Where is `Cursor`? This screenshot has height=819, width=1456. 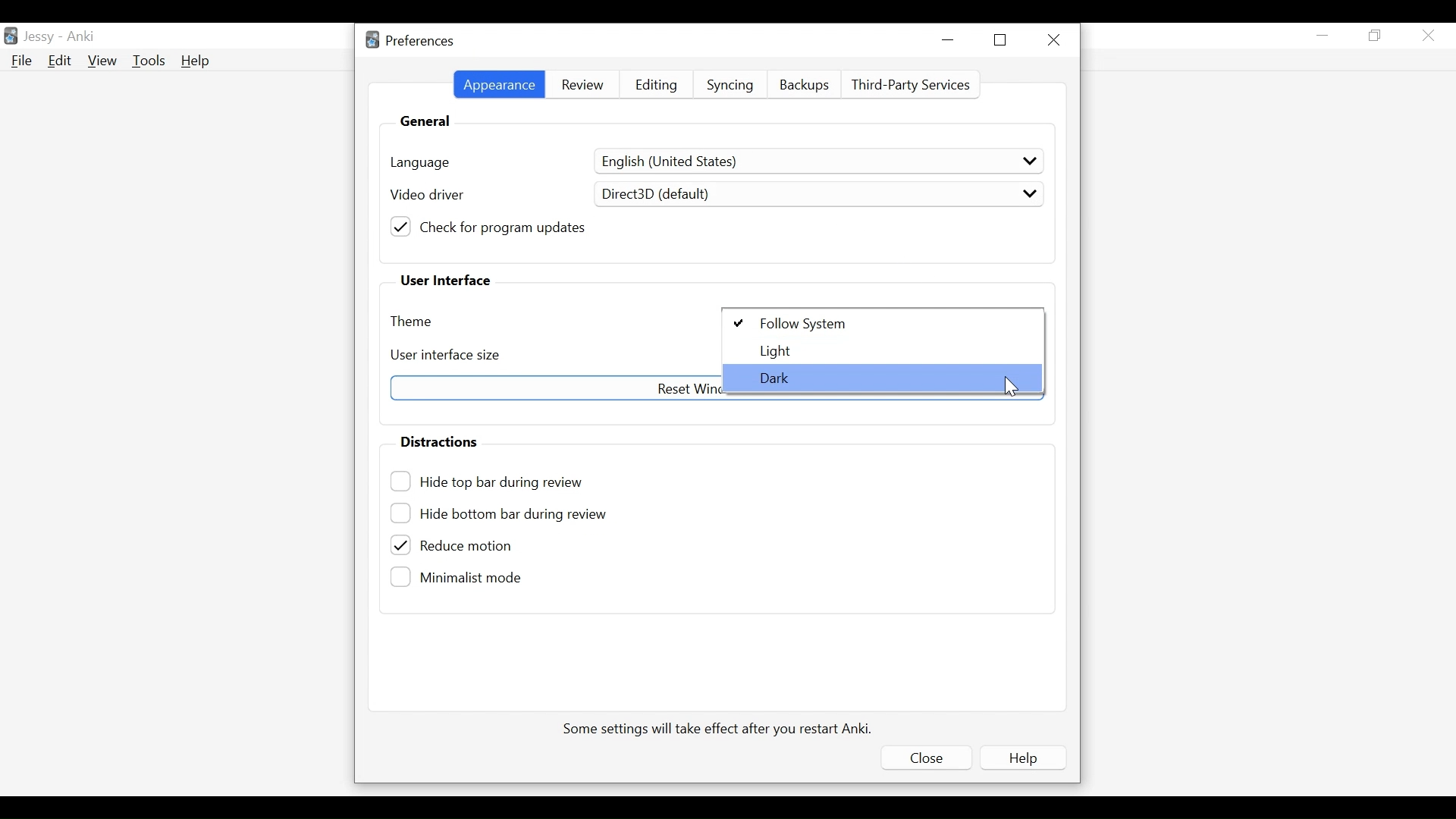 Cursor is located at coordinates (1025, 328).